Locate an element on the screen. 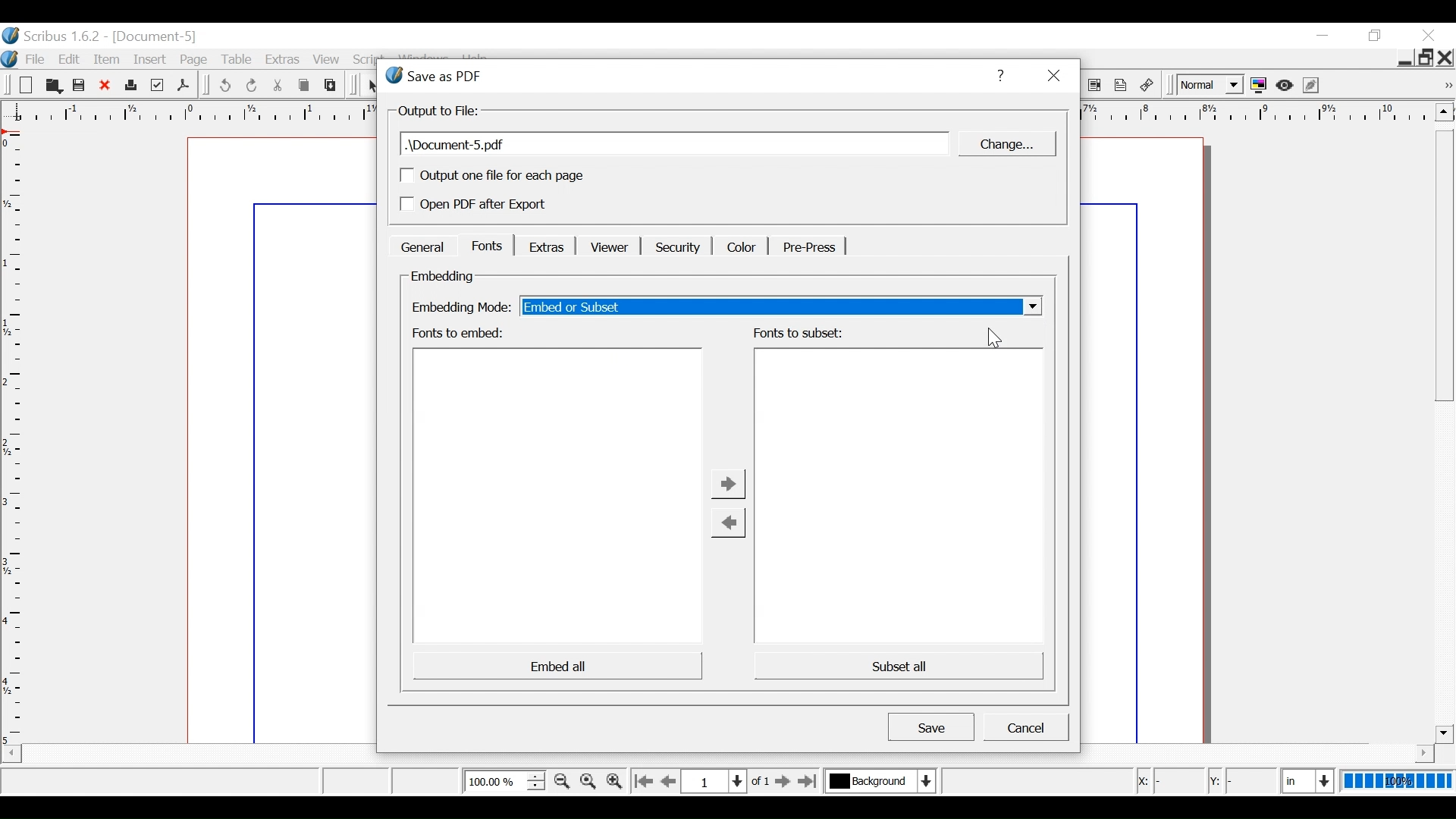 This screenshot has height=819, width=1456. Fonts to subset is located at coordinates (798, 333).